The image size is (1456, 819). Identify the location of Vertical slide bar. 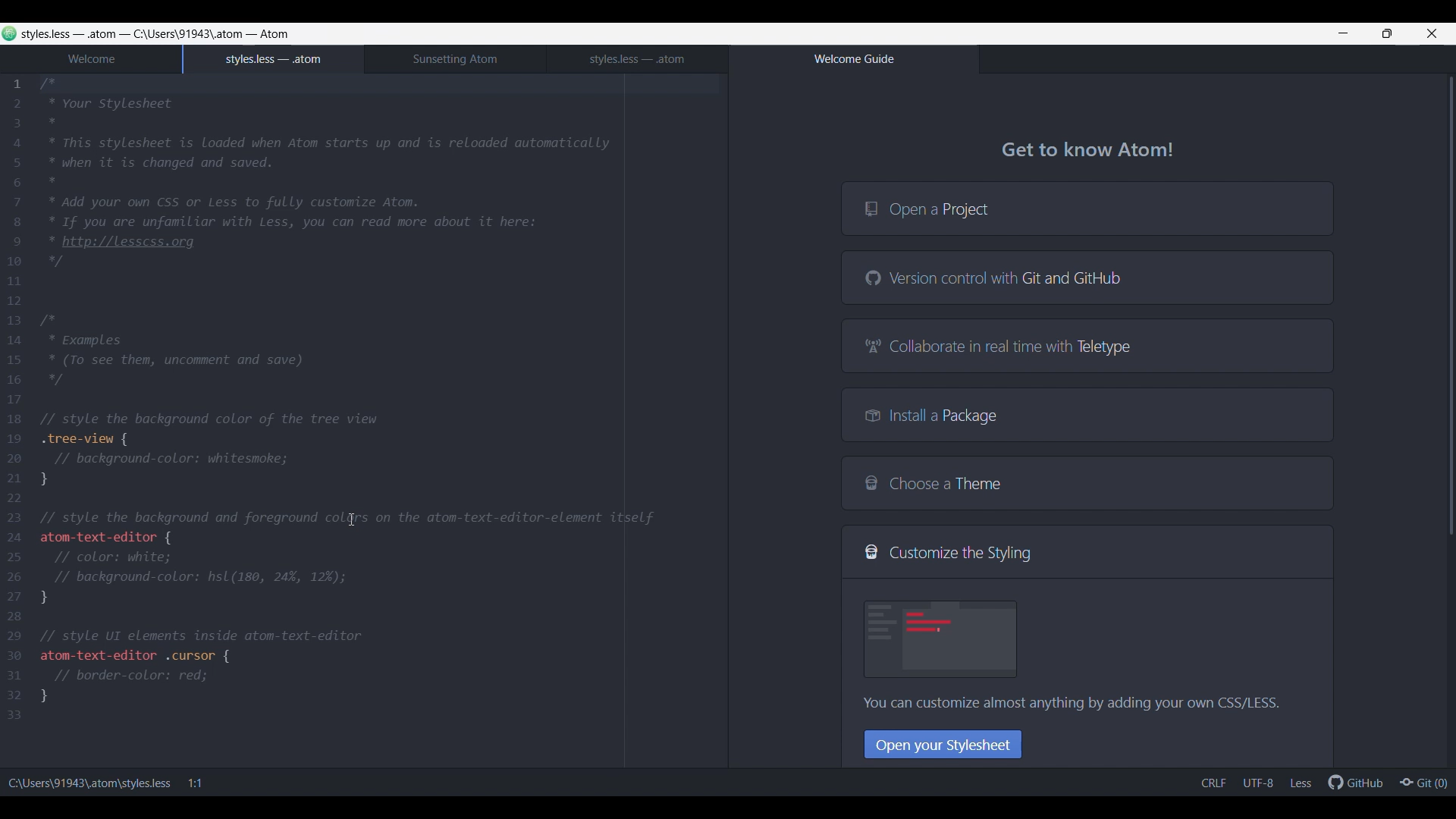
(1451, 386).